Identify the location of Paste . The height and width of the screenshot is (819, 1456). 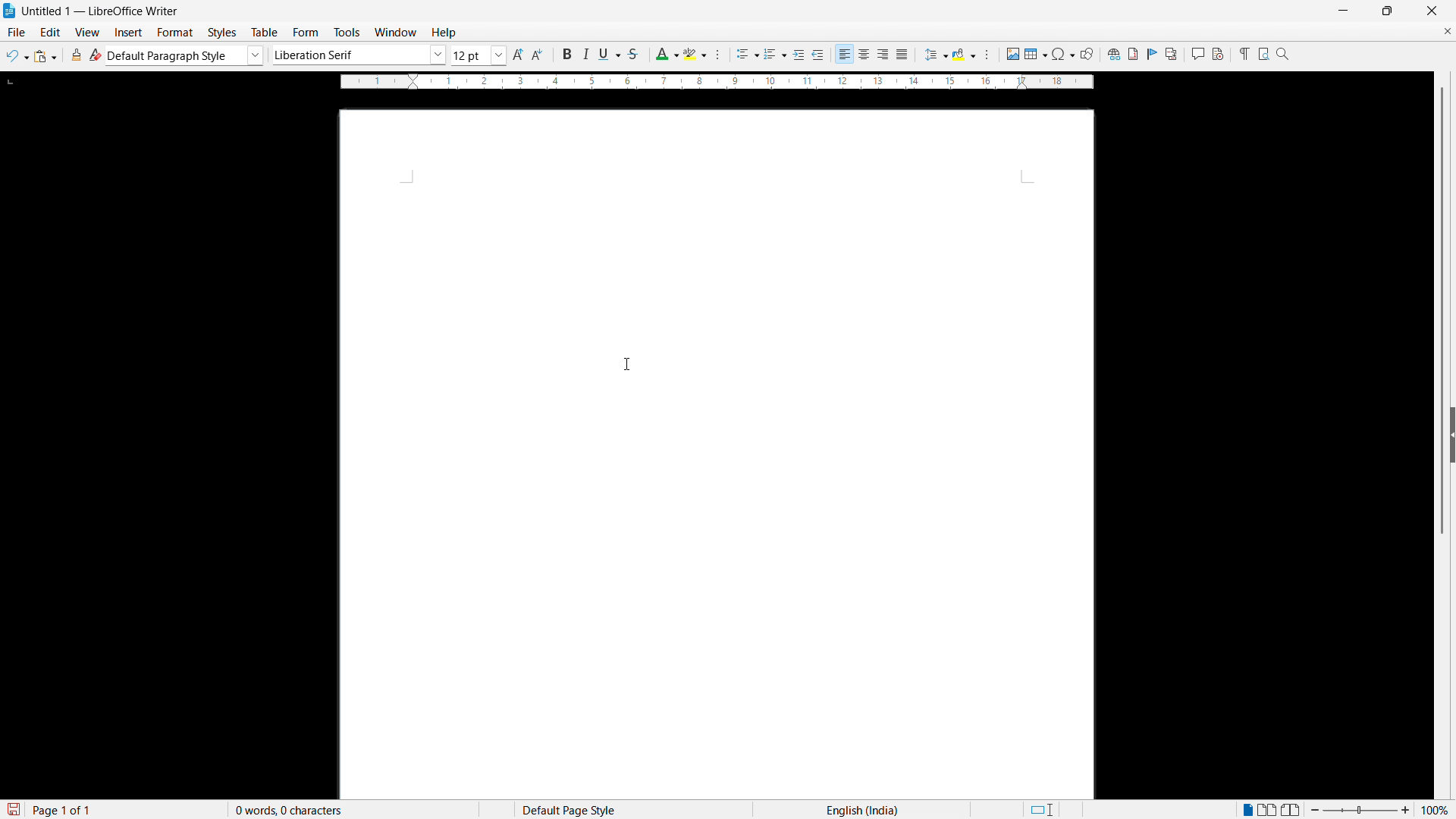
(45, 56).